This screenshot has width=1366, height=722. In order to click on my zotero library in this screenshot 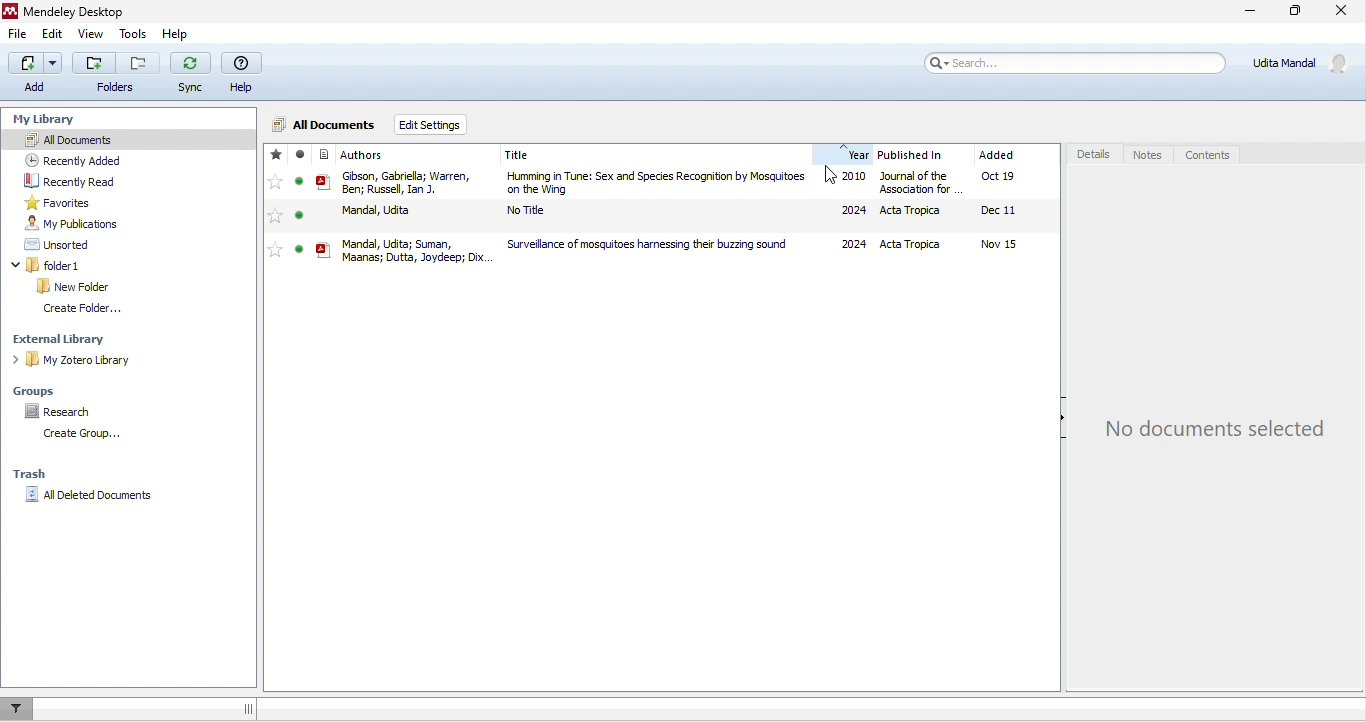, I will do `click(78, 360)`.